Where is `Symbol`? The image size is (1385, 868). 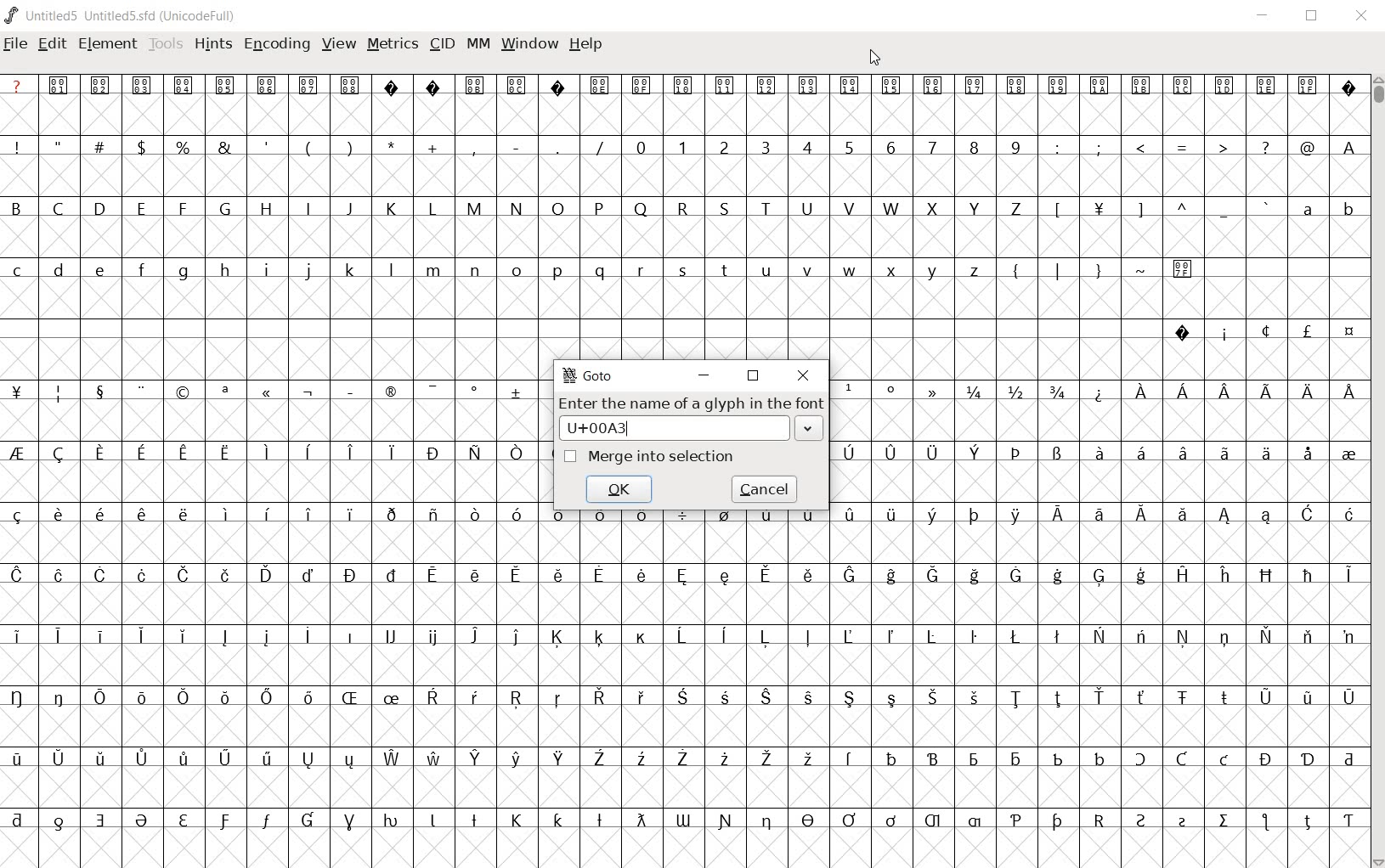
Symbol is located at coordinates (141, 454).